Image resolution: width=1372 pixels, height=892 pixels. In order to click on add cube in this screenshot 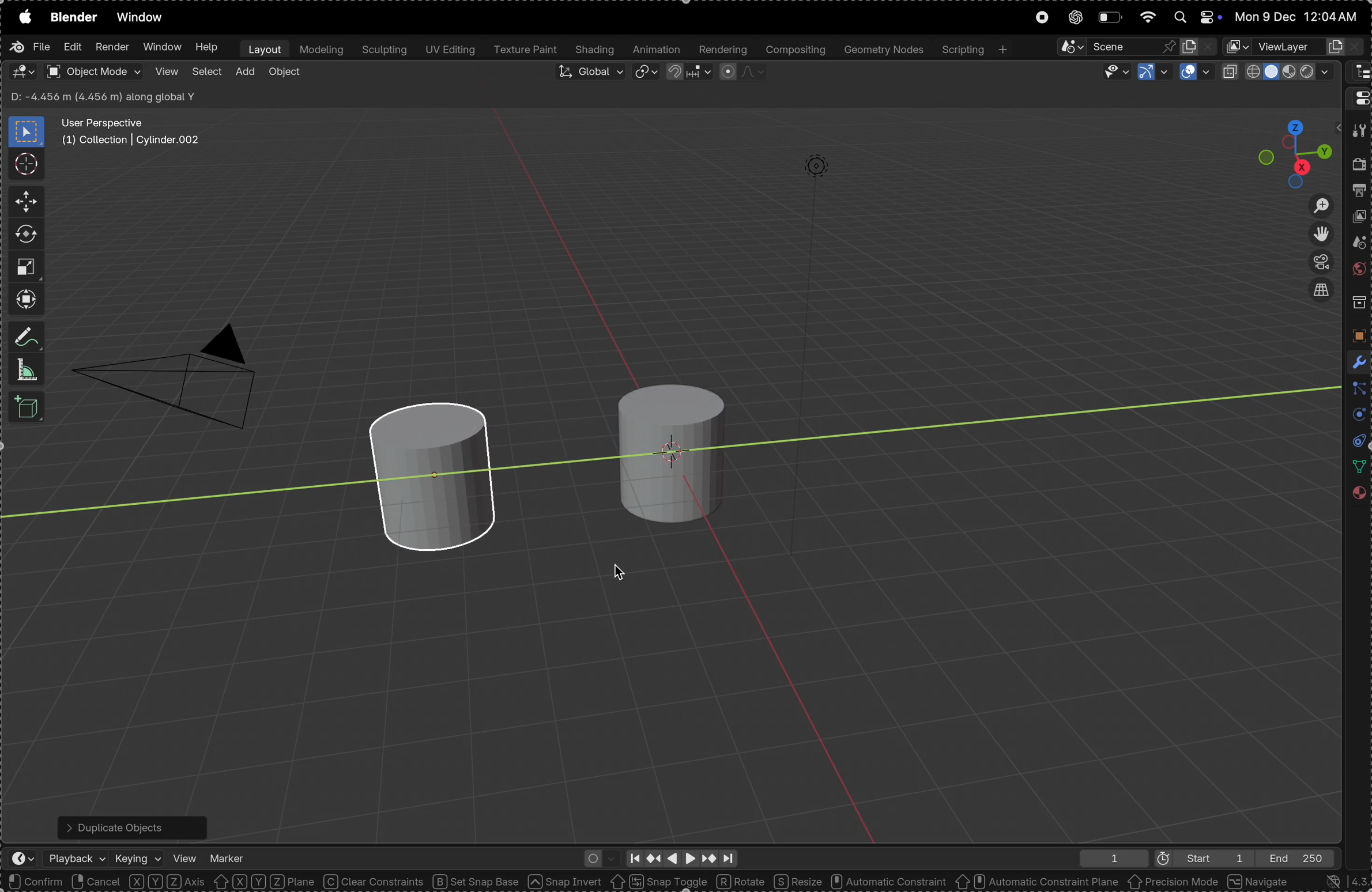, I will do `click(29, 409)`.